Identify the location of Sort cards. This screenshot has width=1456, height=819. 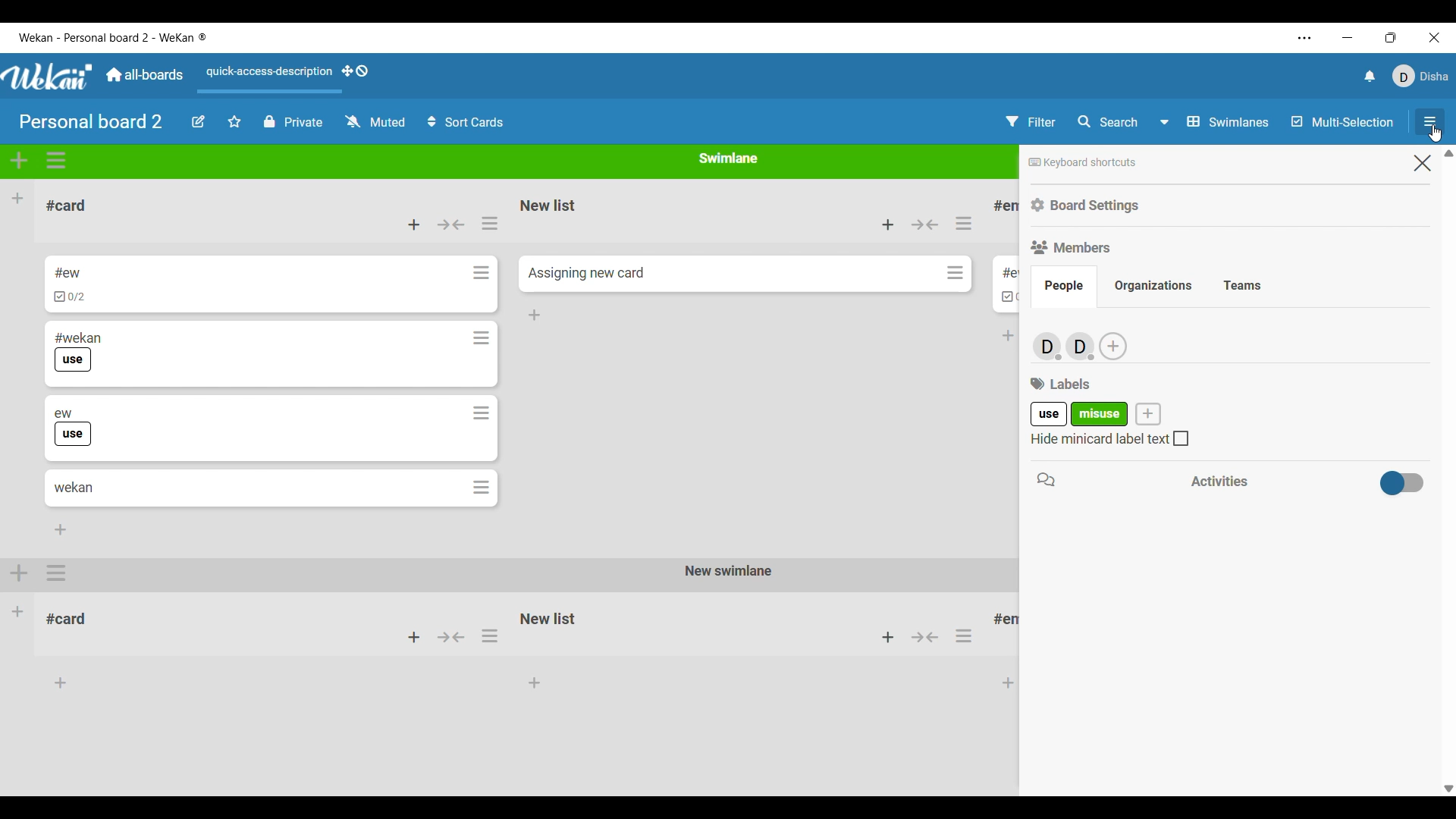
(466, 122).